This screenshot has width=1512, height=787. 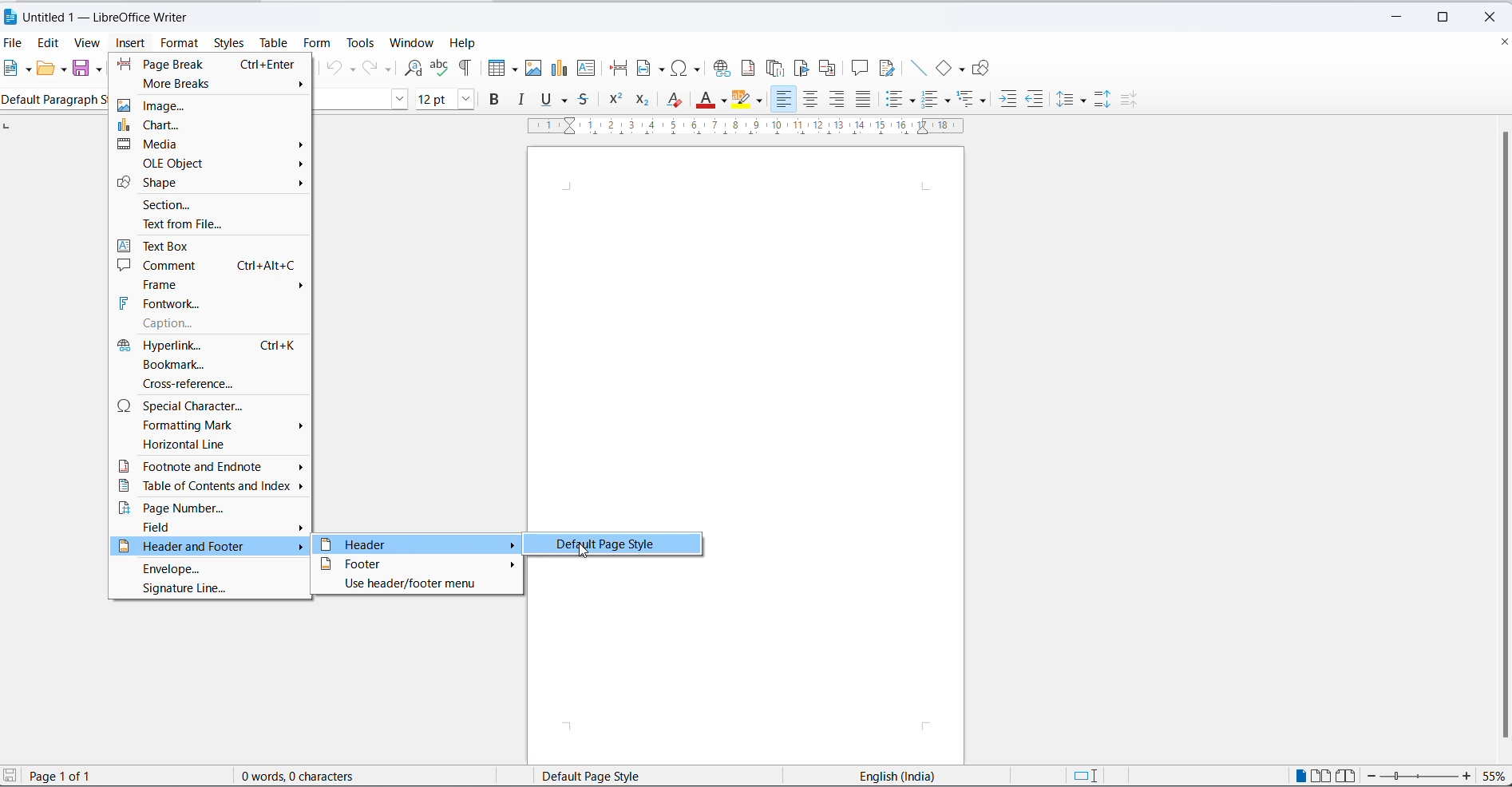 What do you see at coordinates (208, 265) in the screenshot?
I see `comment` at bounding box center [208, 265].